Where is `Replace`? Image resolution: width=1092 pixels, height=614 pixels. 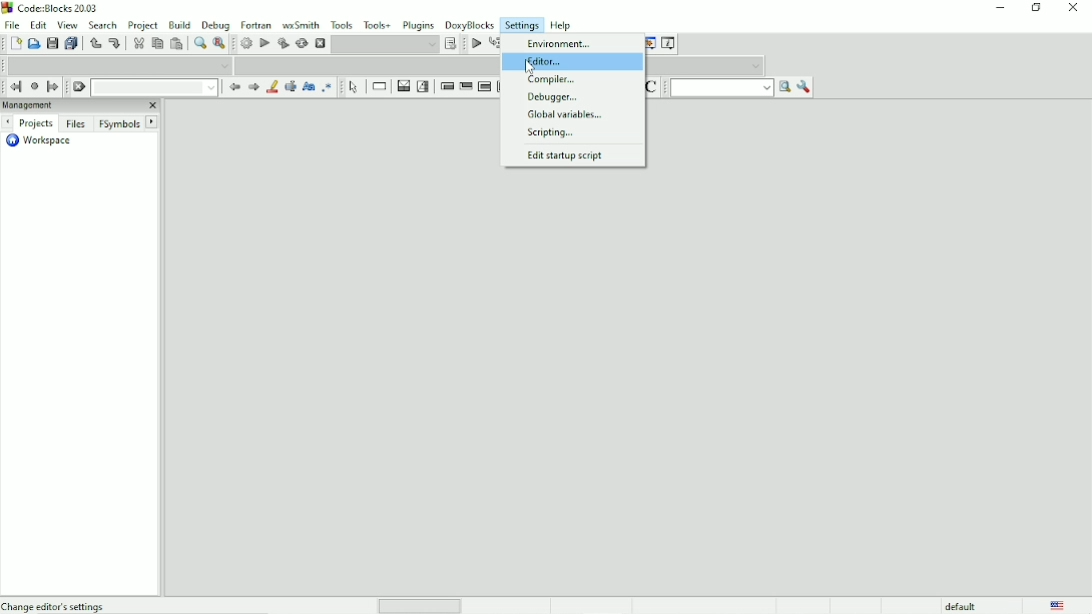
Replace is located at coordinates (220, 44).